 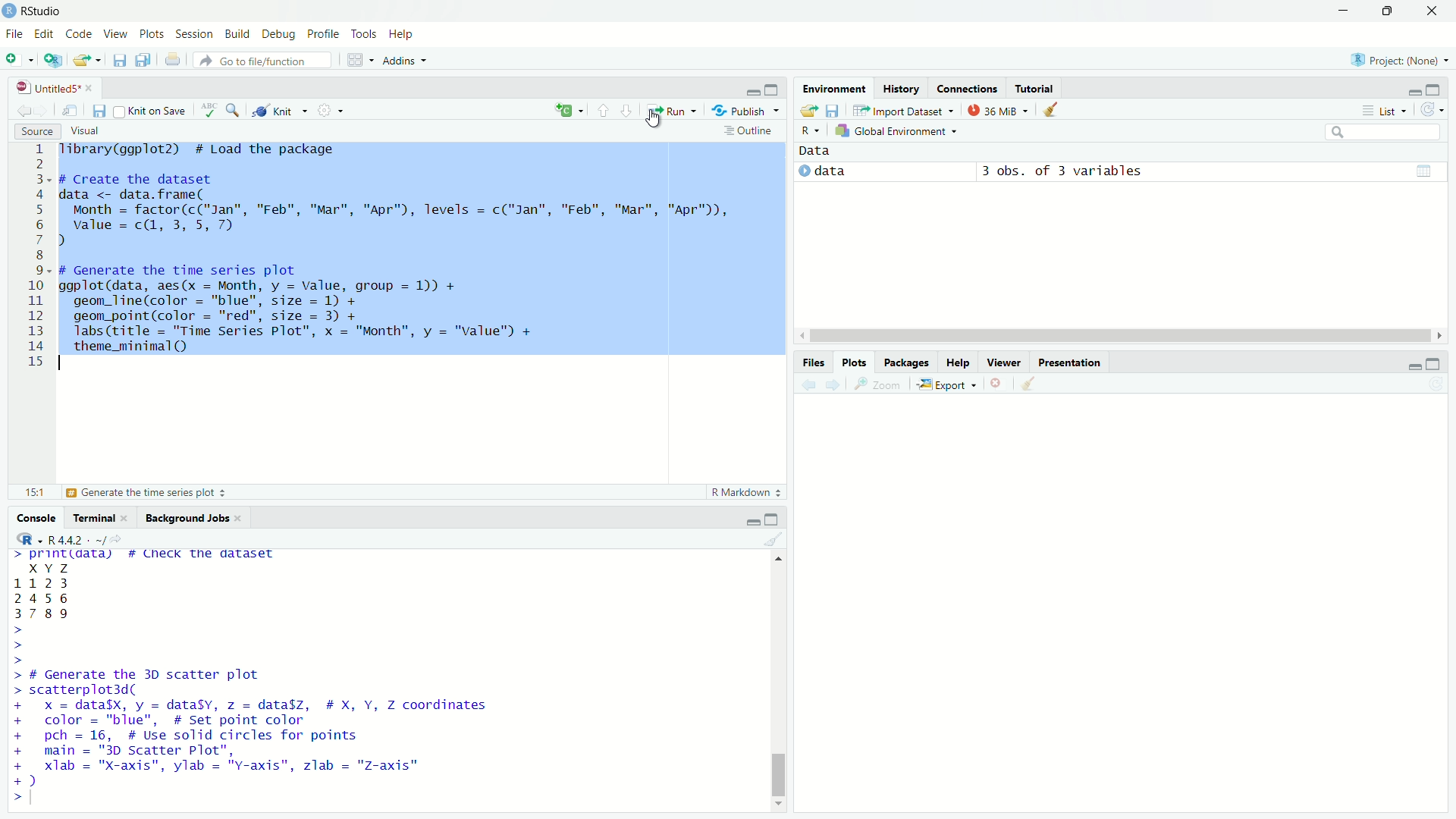 What do you see at coordinates (835, 111) in the screenshot?
I see `save workspace as` at bounding box center [835, 111].